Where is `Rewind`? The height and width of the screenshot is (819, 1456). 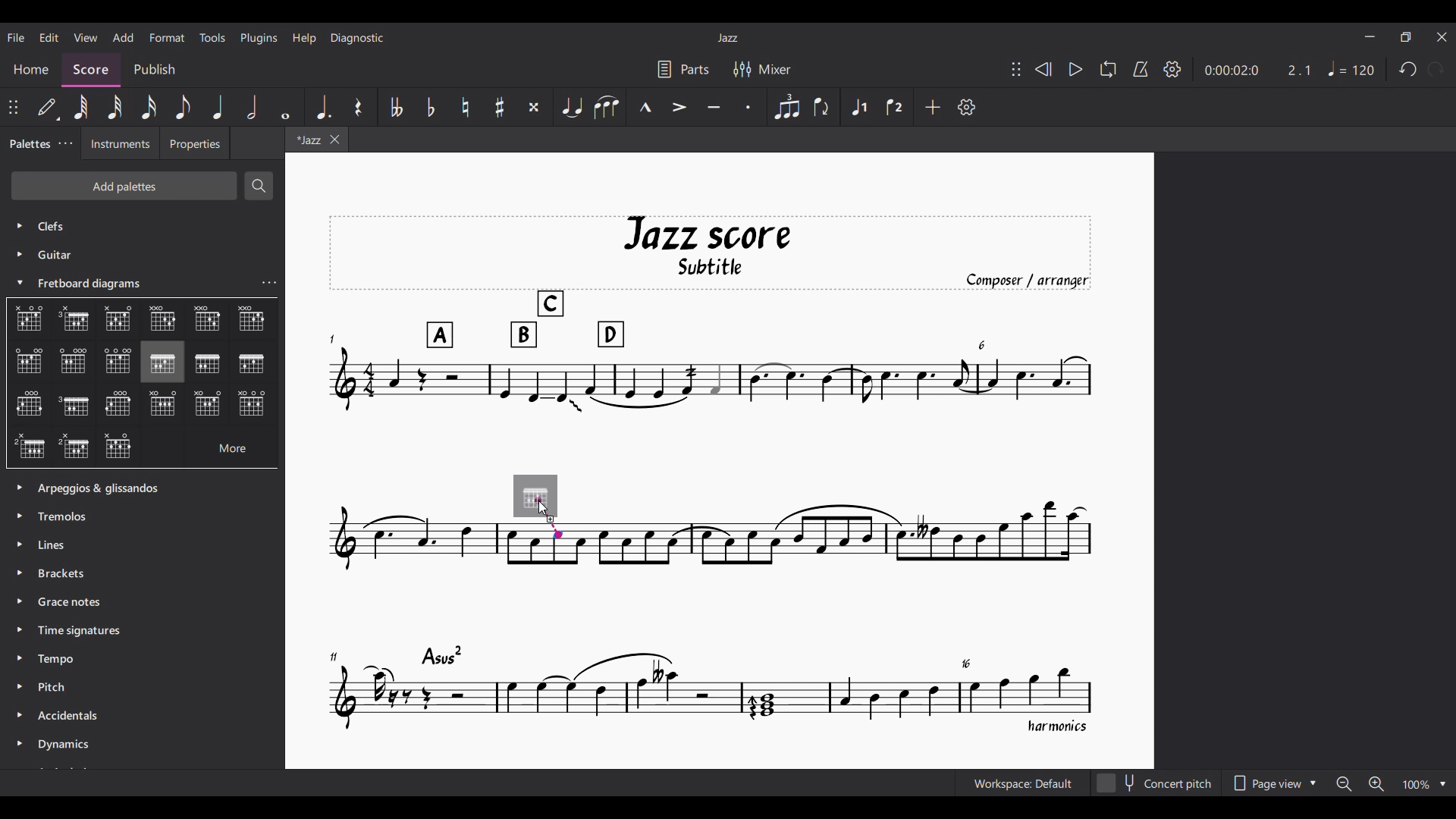 Rewind is located at coordinates (1044, 69).